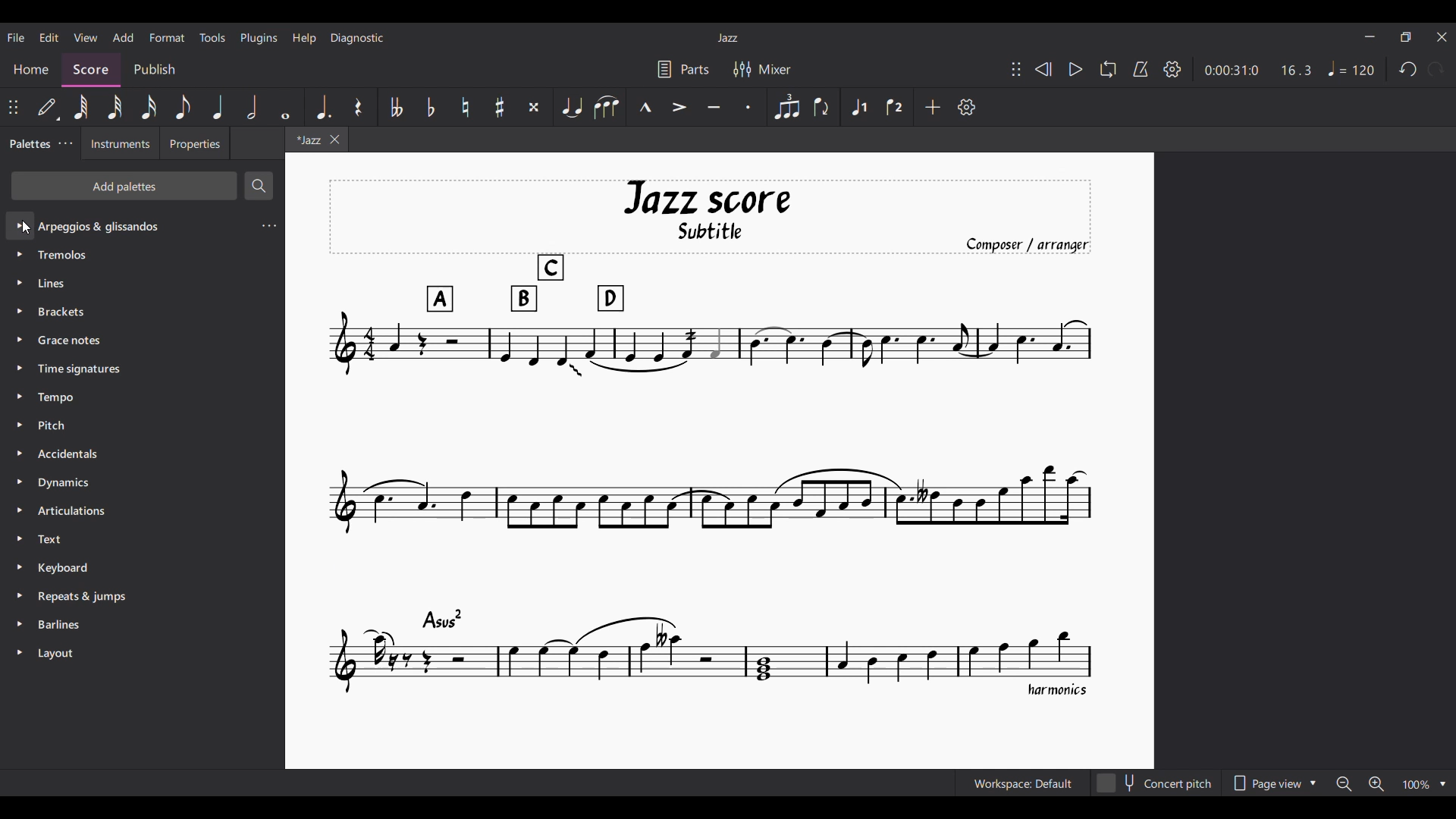 The image size is (1456, 819). I want to click on Flip direction, so click(822, 107).